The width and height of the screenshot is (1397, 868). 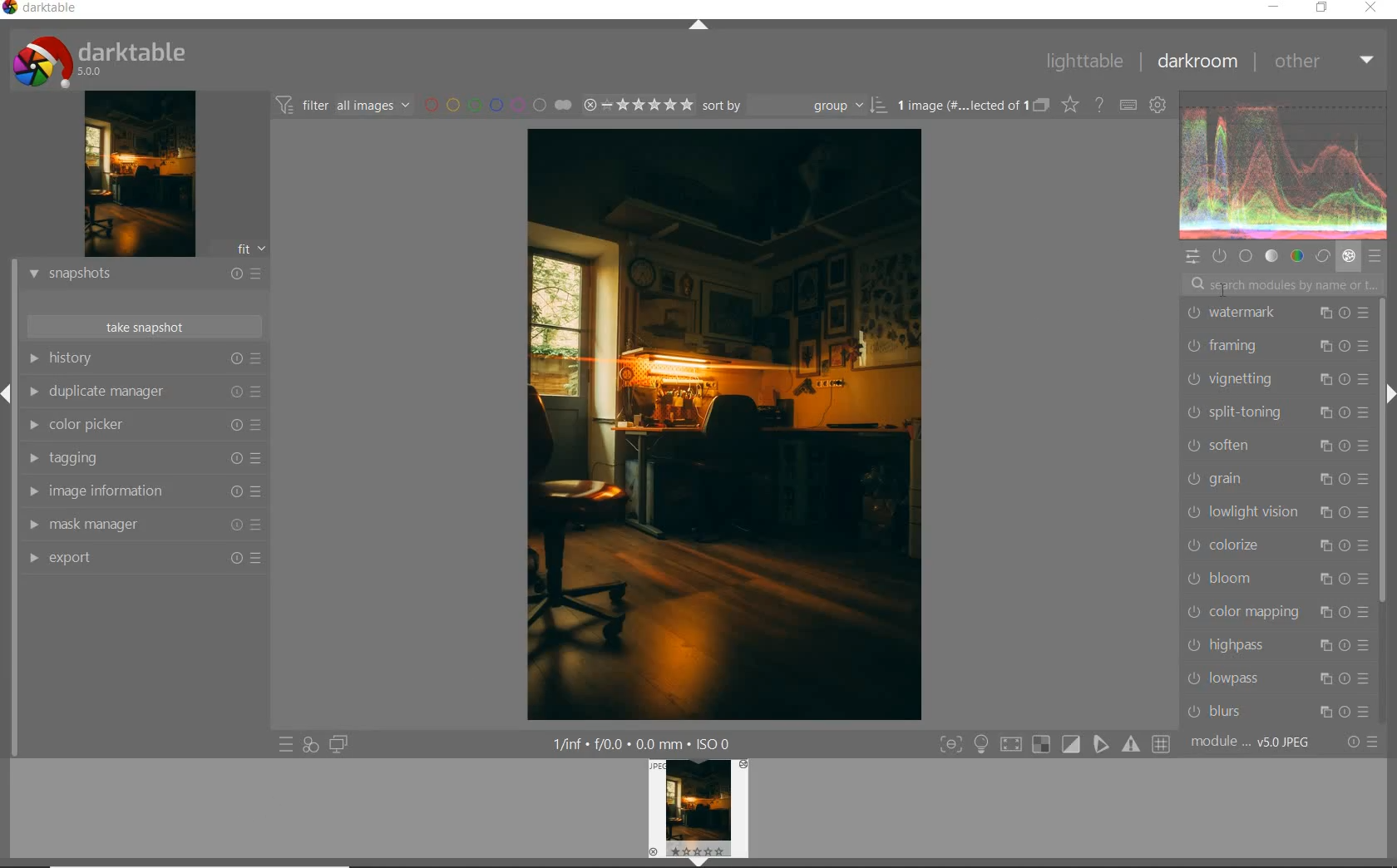 I want to click on scrollbar, so click(x=1383, y=450).